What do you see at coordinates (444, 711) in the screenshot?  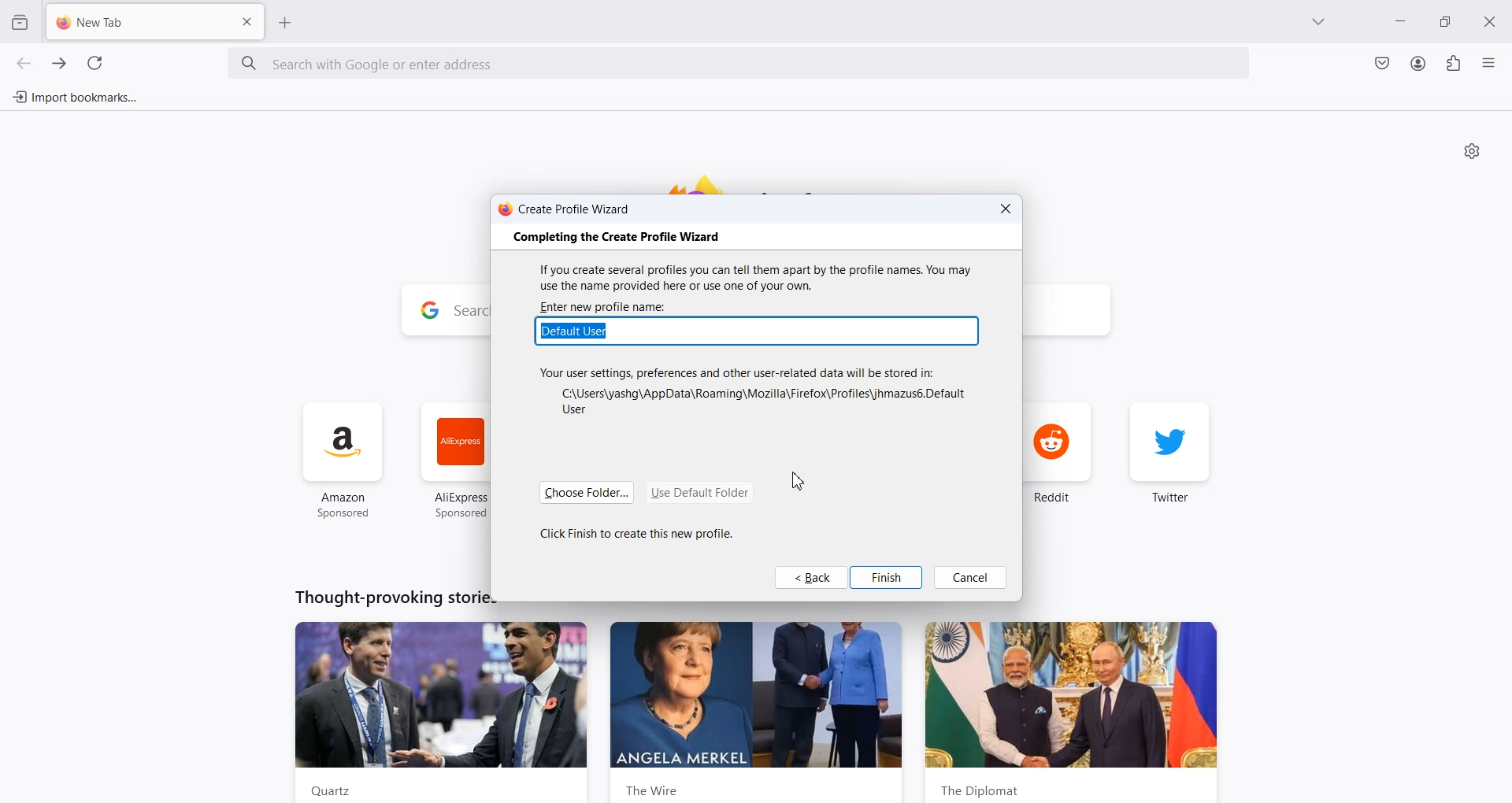 I see `Quartz` at bounding box center [444, 711].